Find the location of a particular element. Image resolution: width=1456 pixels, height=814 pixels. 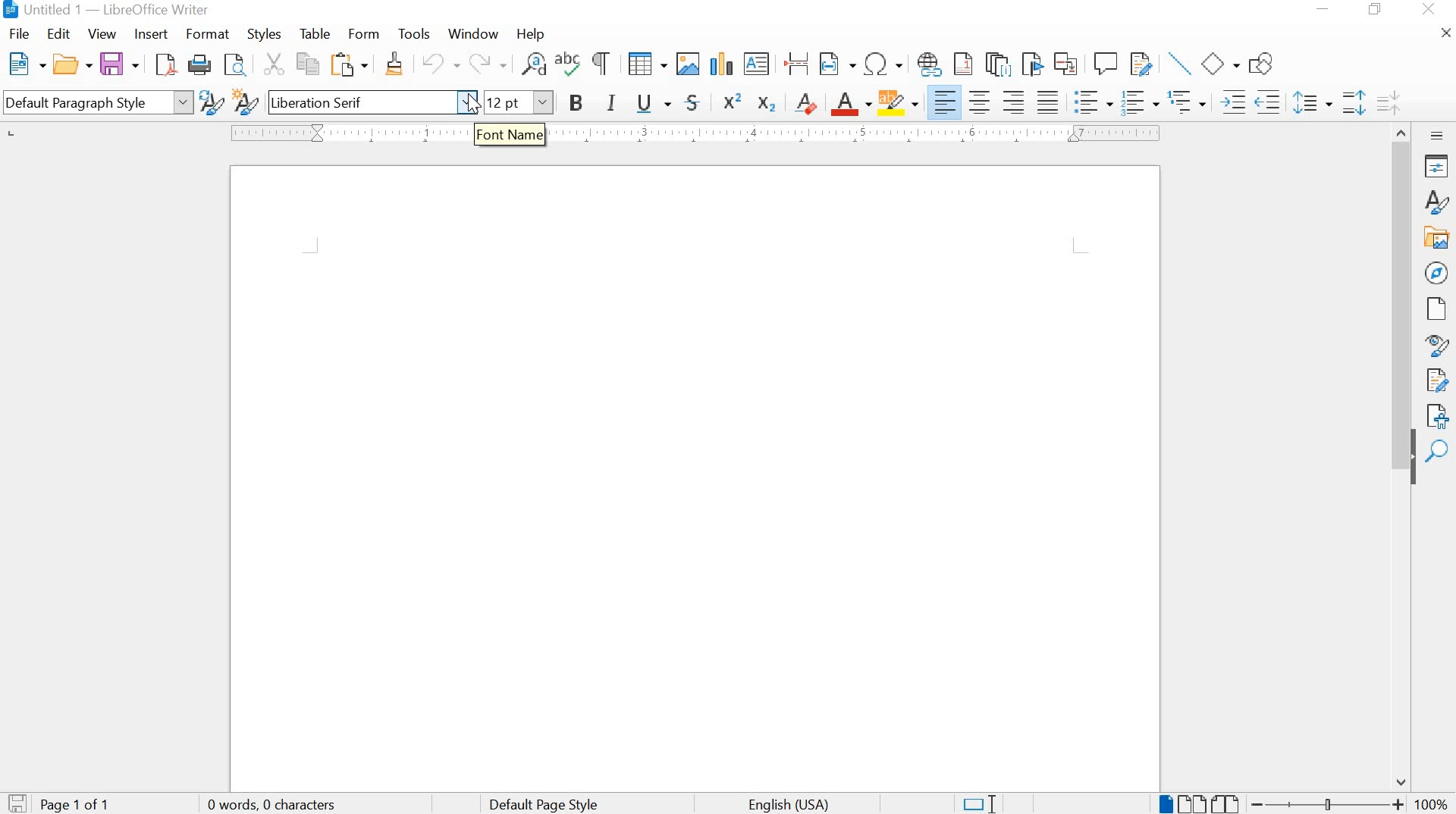

BOLD is located at coordinates (576, 102).